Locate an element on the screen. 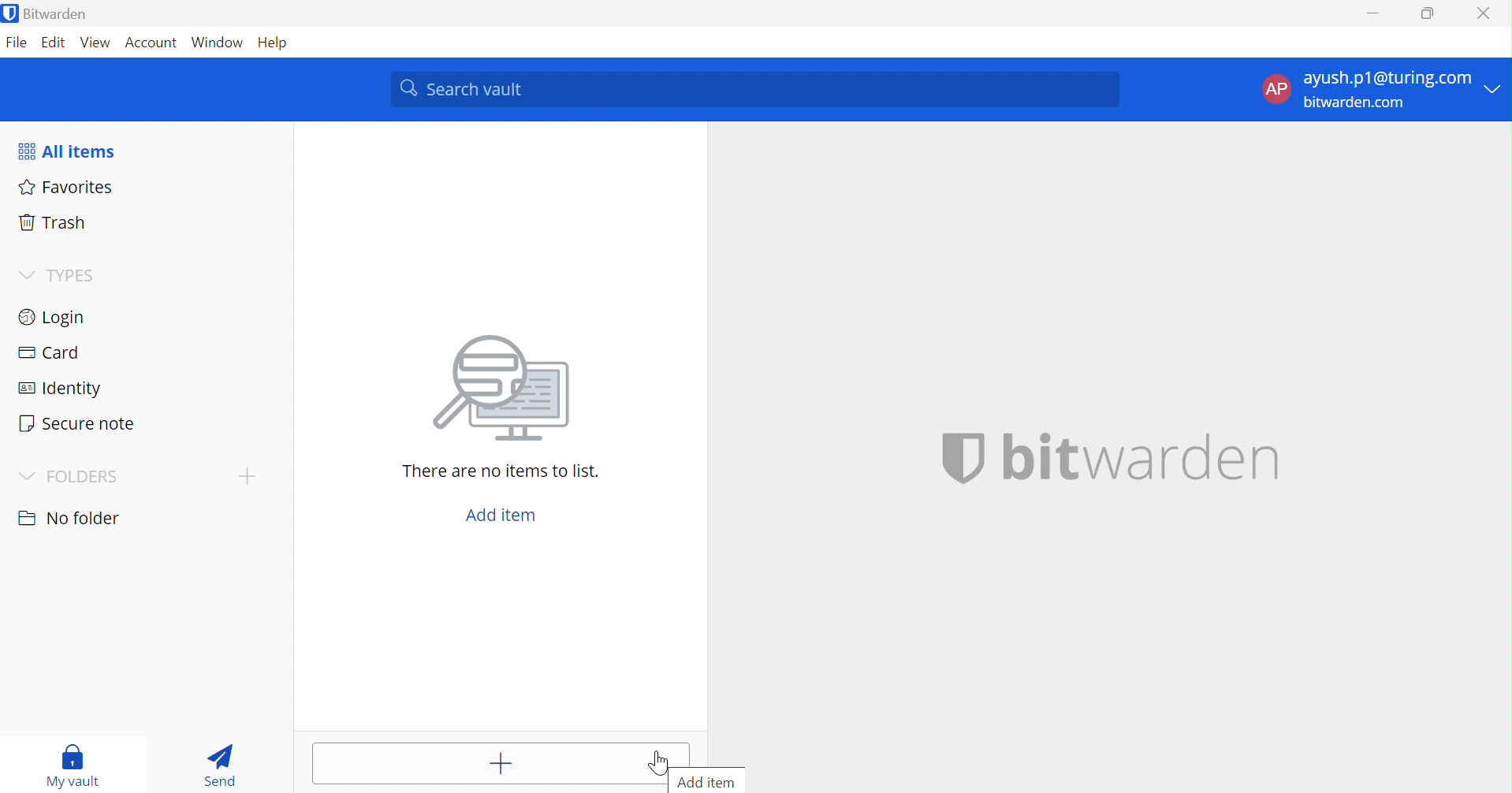 The height and width of the screenshot is (793, 1512). Drop Down is located at coordinates (28, 477).